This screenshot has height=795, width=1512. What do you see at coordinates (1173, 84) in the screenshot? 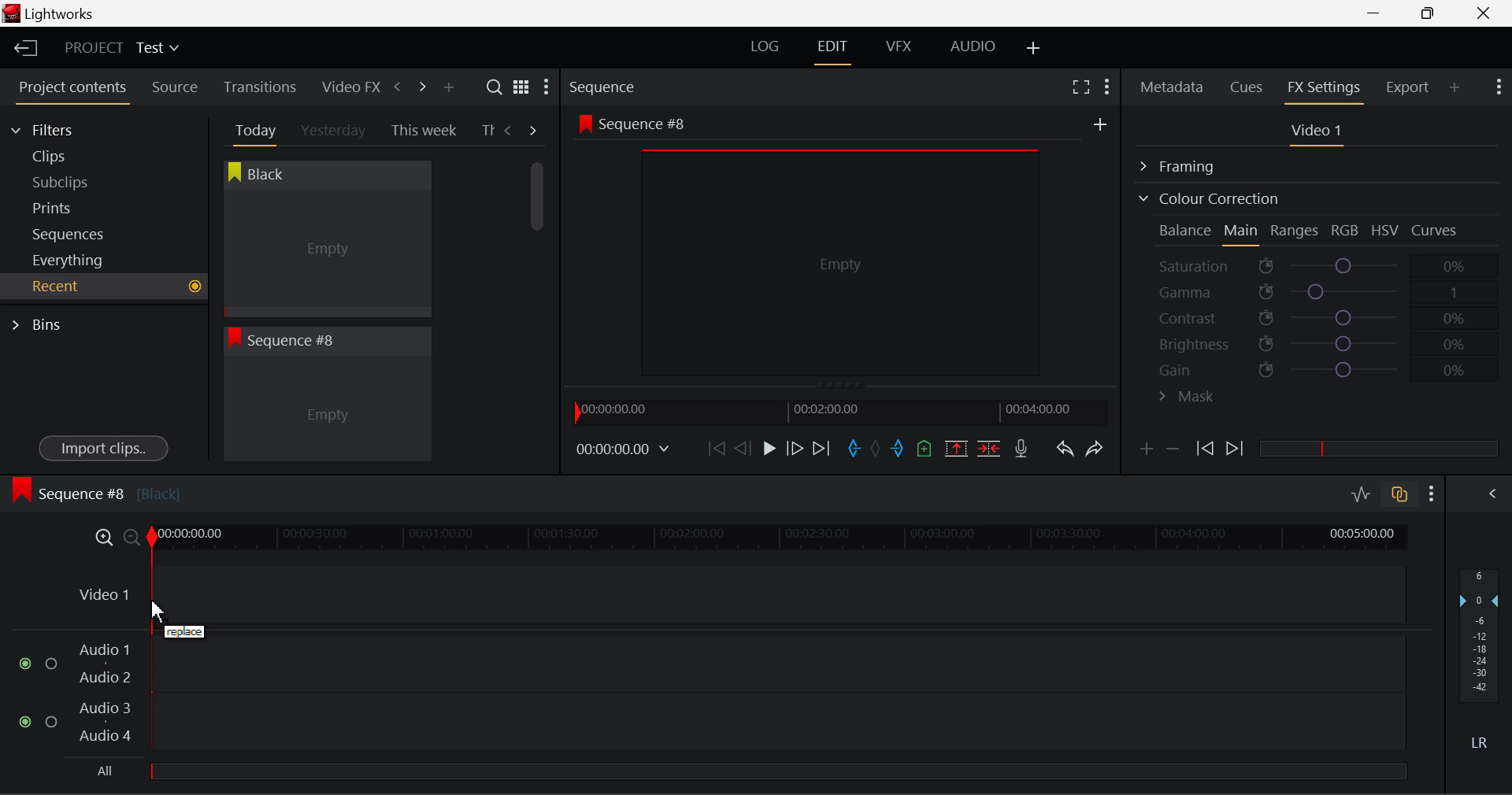
I see `Metadata Panel` at bounding box center [1173, 84].